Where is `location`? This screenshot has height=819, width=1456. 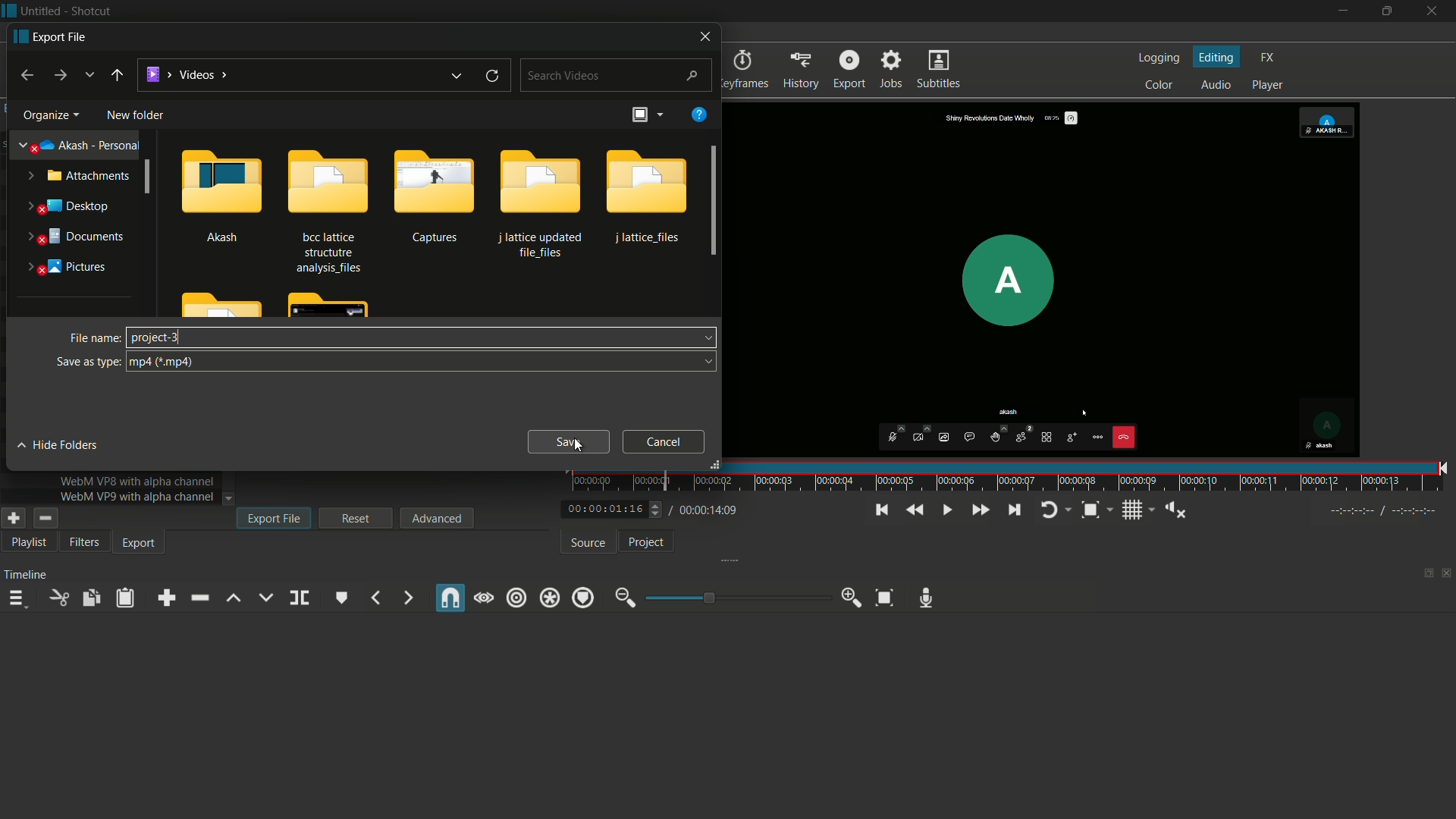 location is located at coordinates (188, 74).